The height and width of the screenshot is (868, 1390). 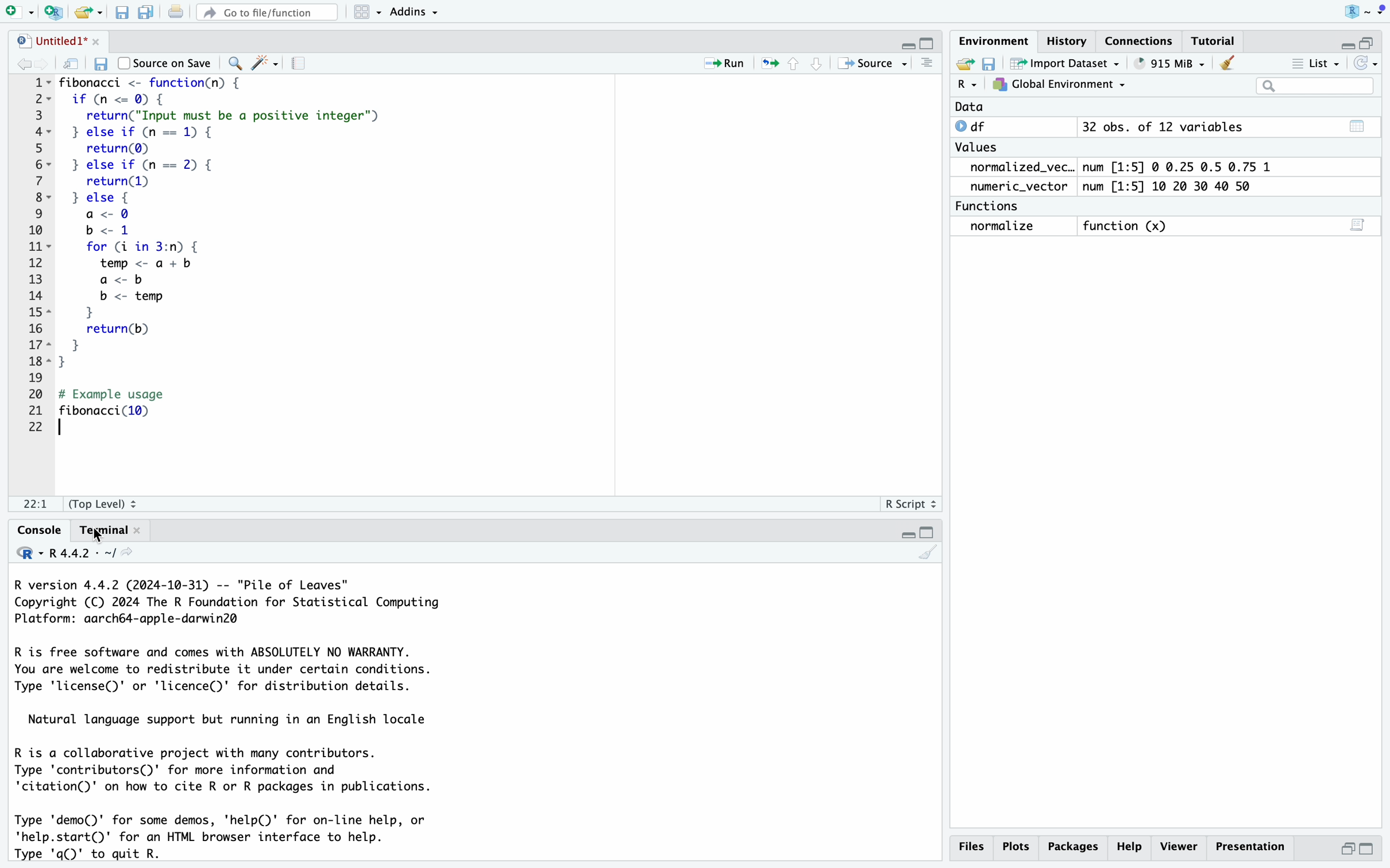 What do you see at coordinates (903, 41) in the screenshot?
I see `minimize` at bounding box center [903, 41].